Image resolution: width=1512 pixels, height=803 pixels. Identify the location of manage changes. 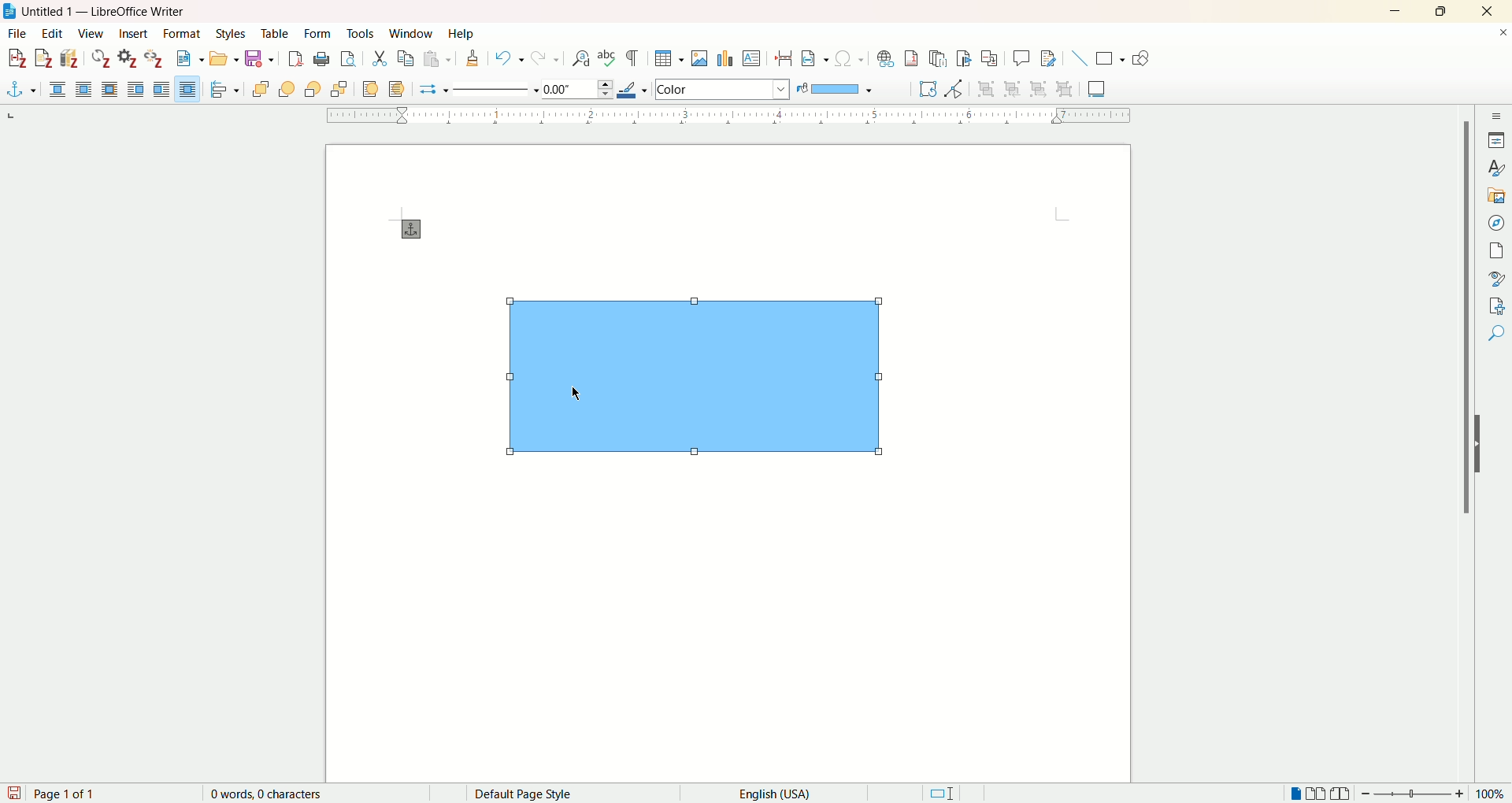
(1496, 305).